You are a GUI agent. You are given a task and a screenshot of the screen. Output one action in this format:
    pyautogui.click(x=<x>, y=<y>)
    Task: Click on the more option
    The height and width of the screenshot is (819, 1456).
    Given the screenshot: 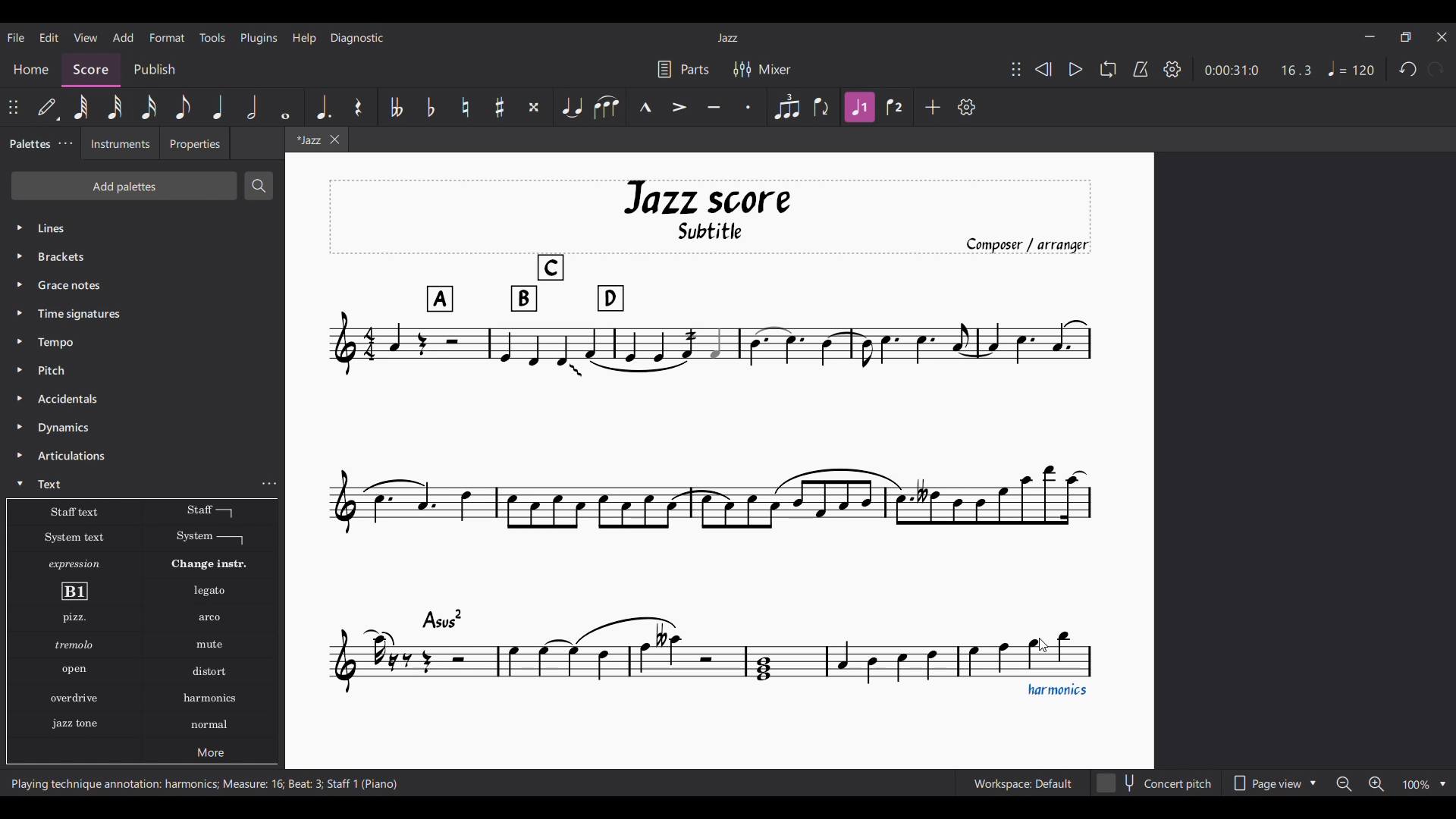 What is the action you would take?
    pyautogui.click(x=271, y=484)
    